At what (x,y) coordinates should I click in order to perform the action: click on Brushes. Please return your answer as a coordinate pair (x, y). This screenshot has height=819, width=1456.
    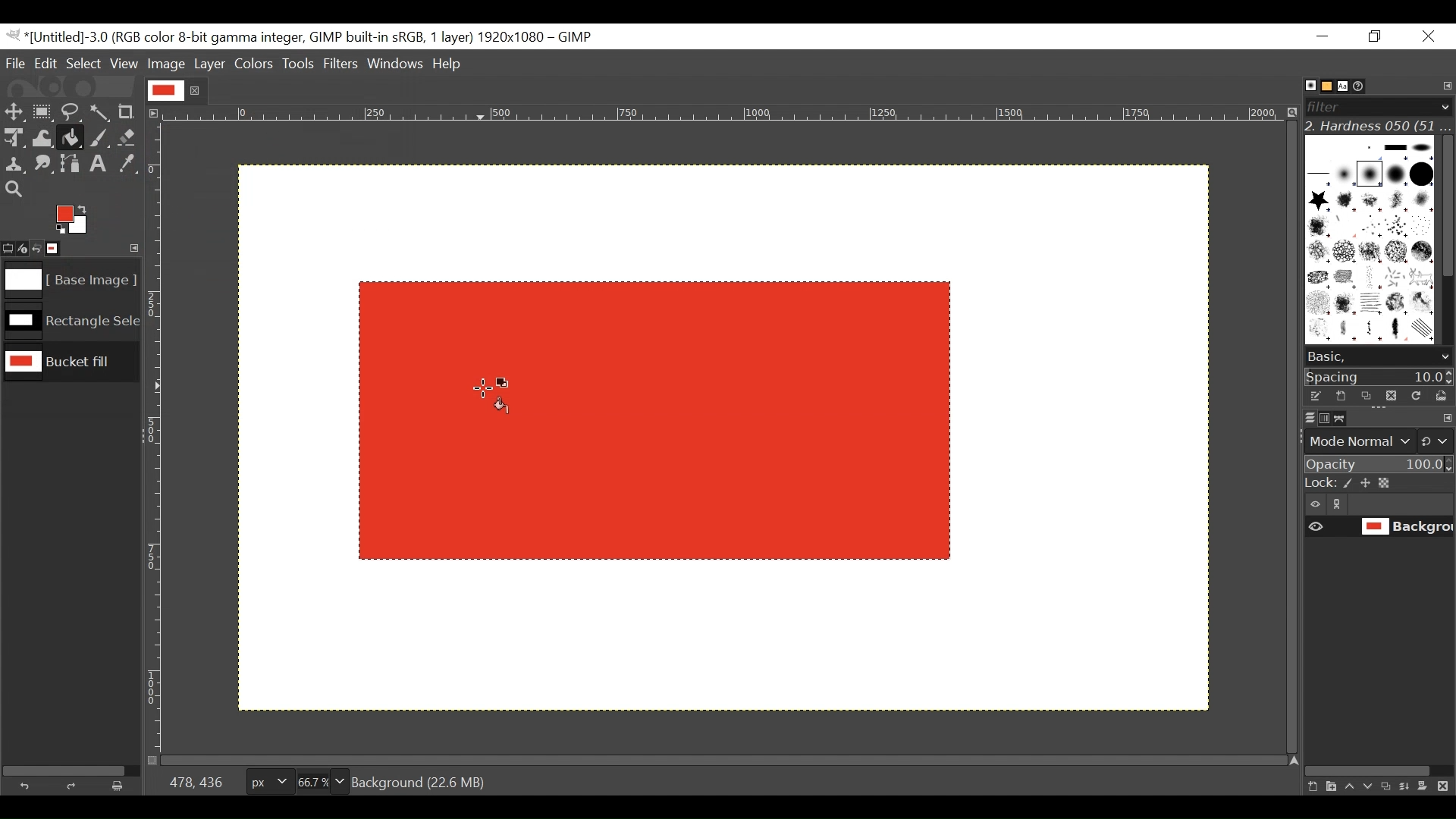
    Looking at the image, I should click on (1303, 86).